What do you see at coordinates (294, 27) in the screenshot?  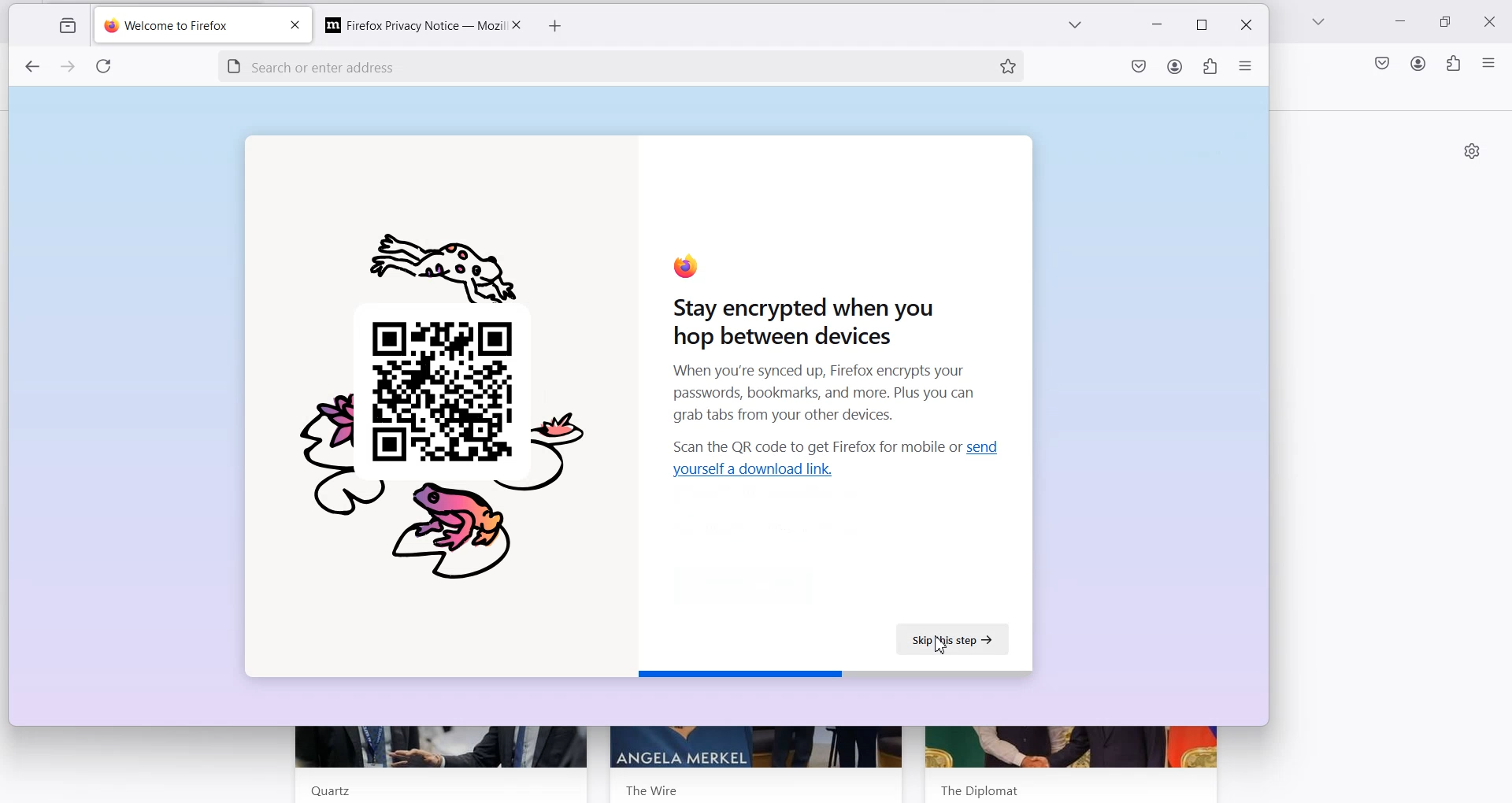 I see `close` at bounding box center [294, 27].